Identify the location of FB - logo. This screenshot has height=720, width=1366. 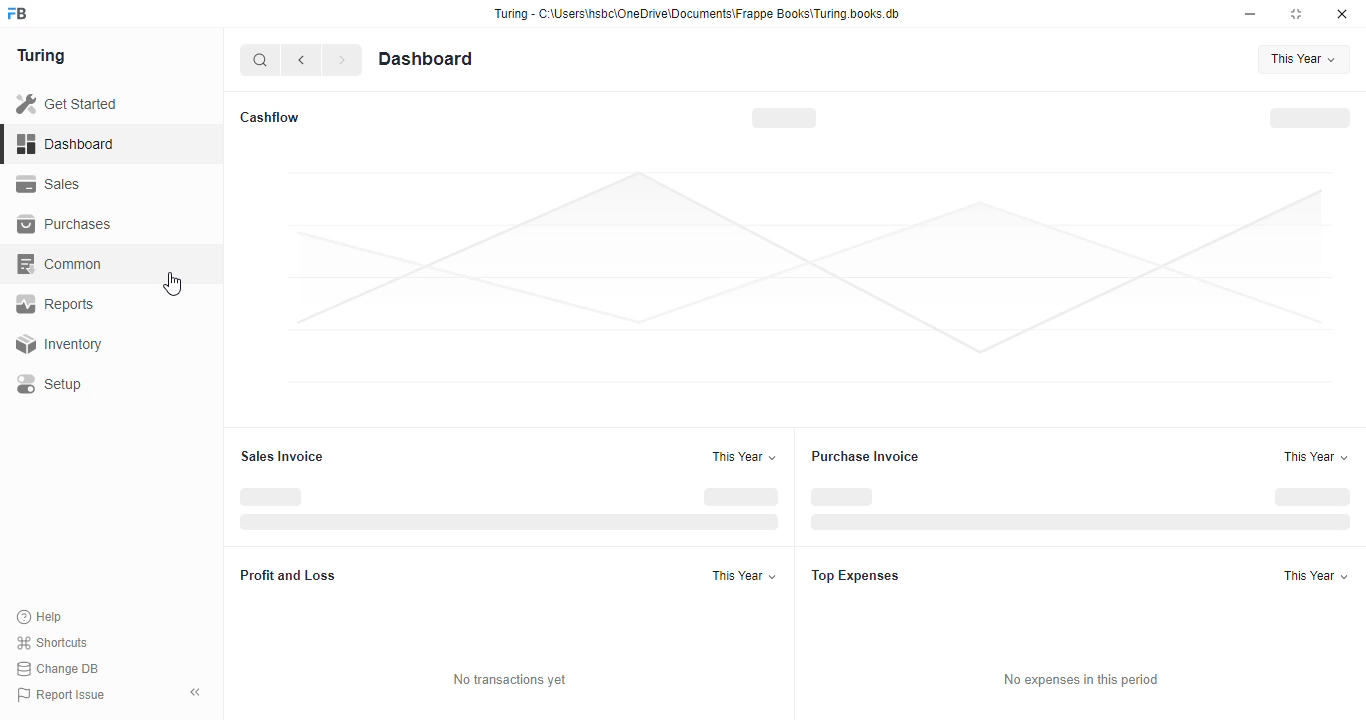
(17, 13).